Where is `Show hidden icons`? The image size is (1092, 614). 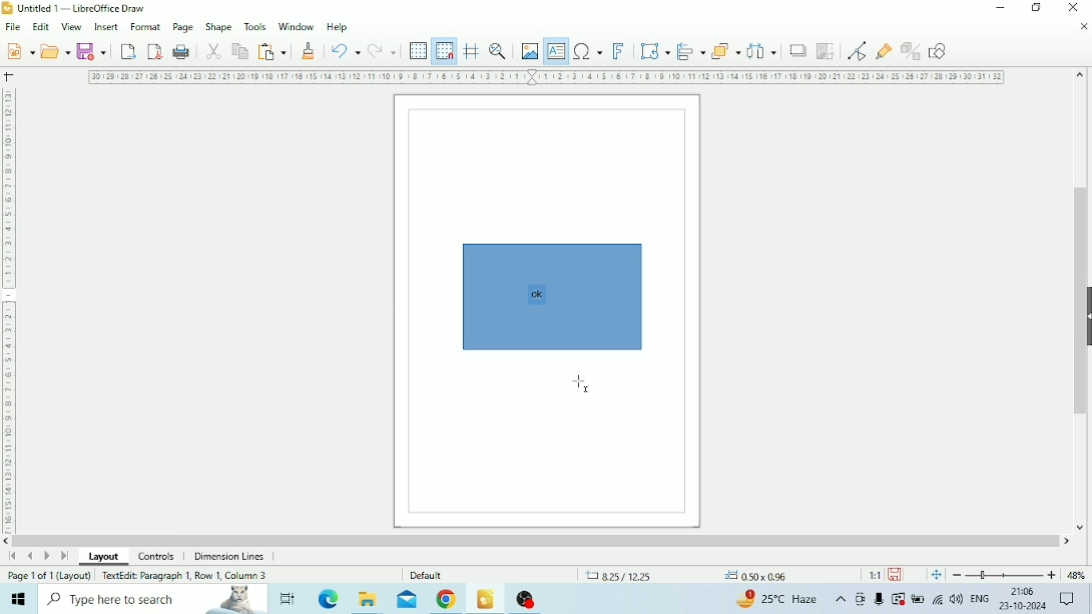 Show hidden icons is located at coordinates (841, 599).